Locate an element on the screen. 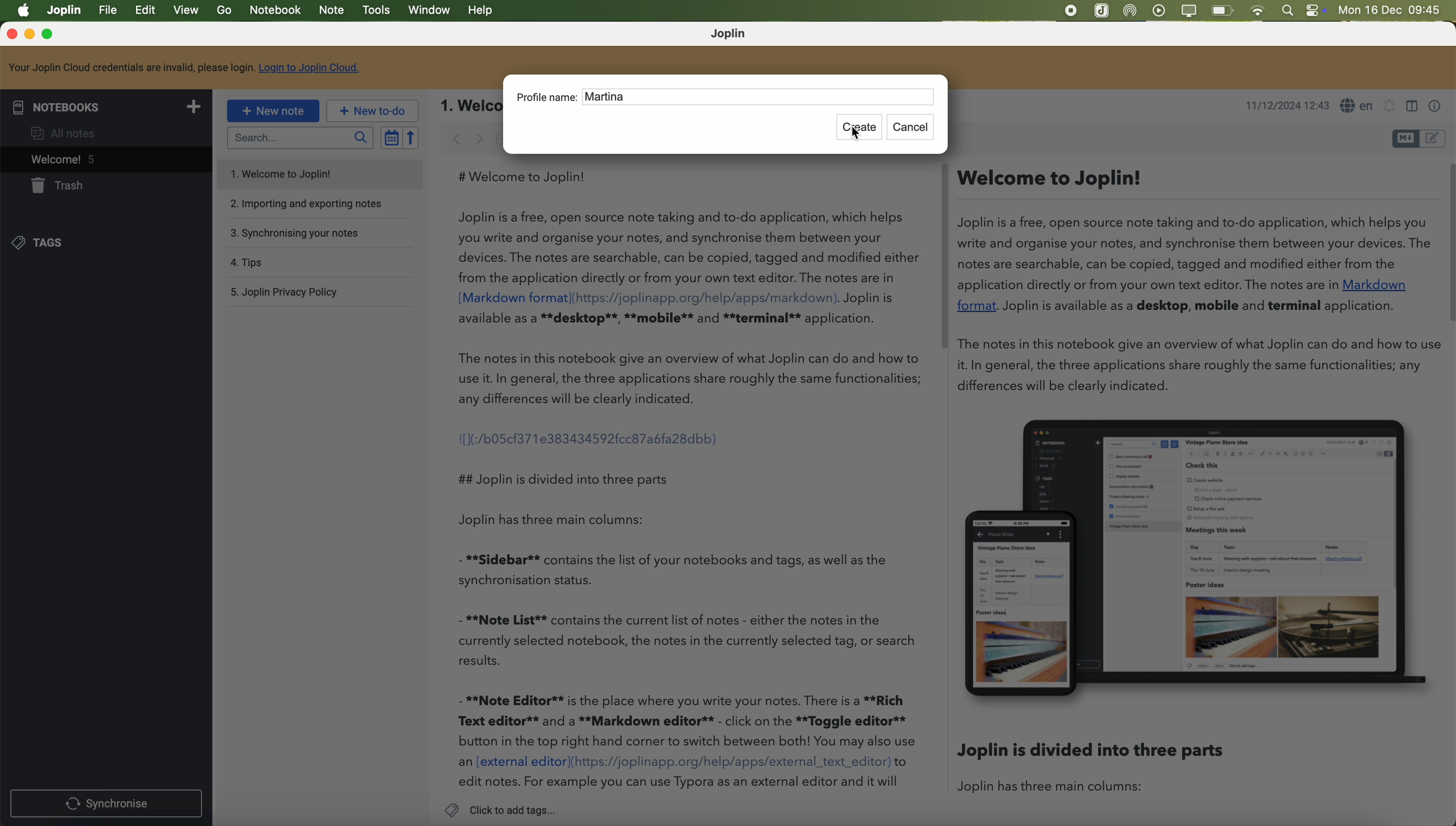  Mon 16 Dec 09:45 is located at coordinates (1391, 11).